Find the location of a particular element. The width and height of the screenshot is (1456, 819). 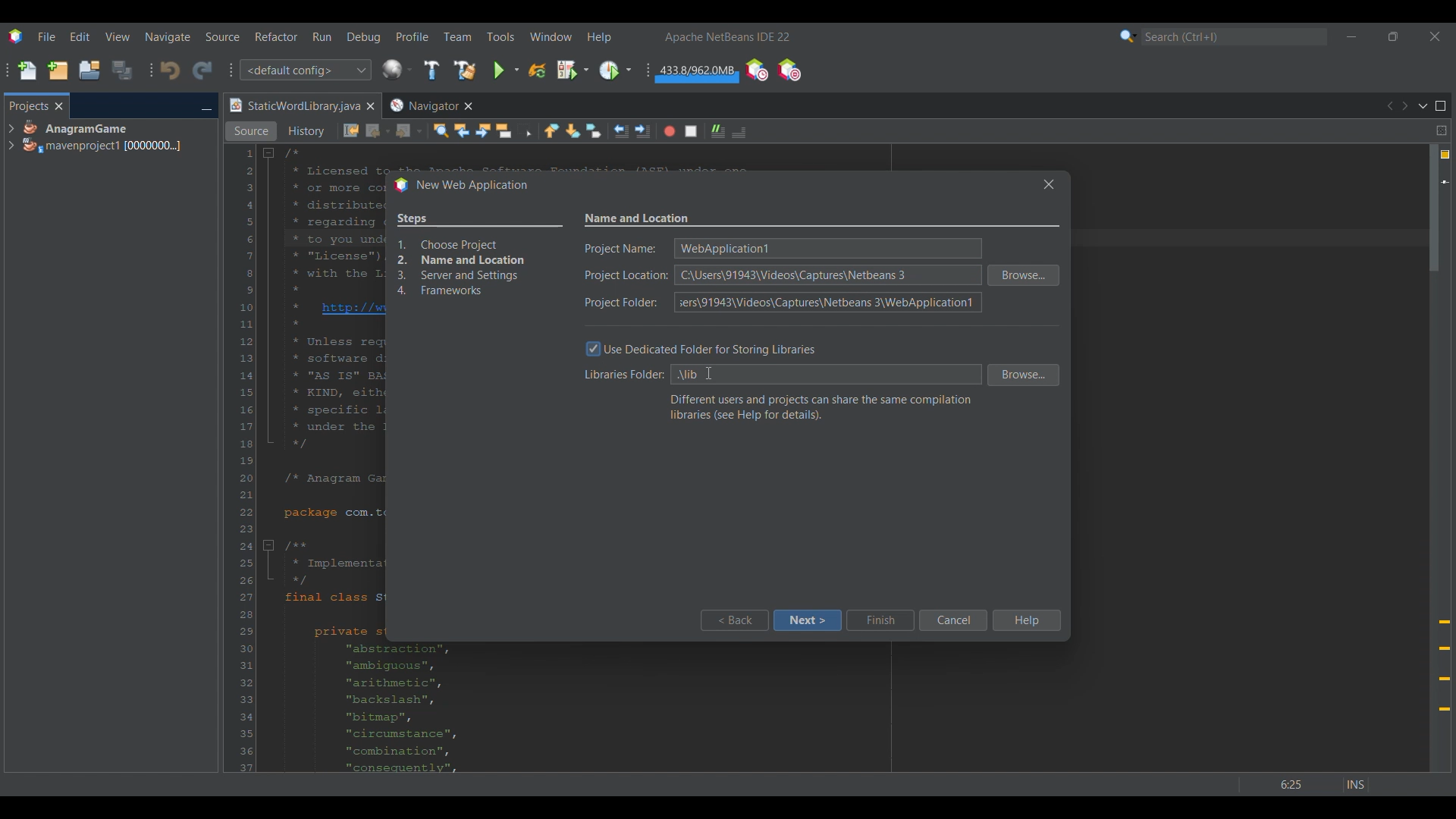

Close is located at coordinates (370, 106).